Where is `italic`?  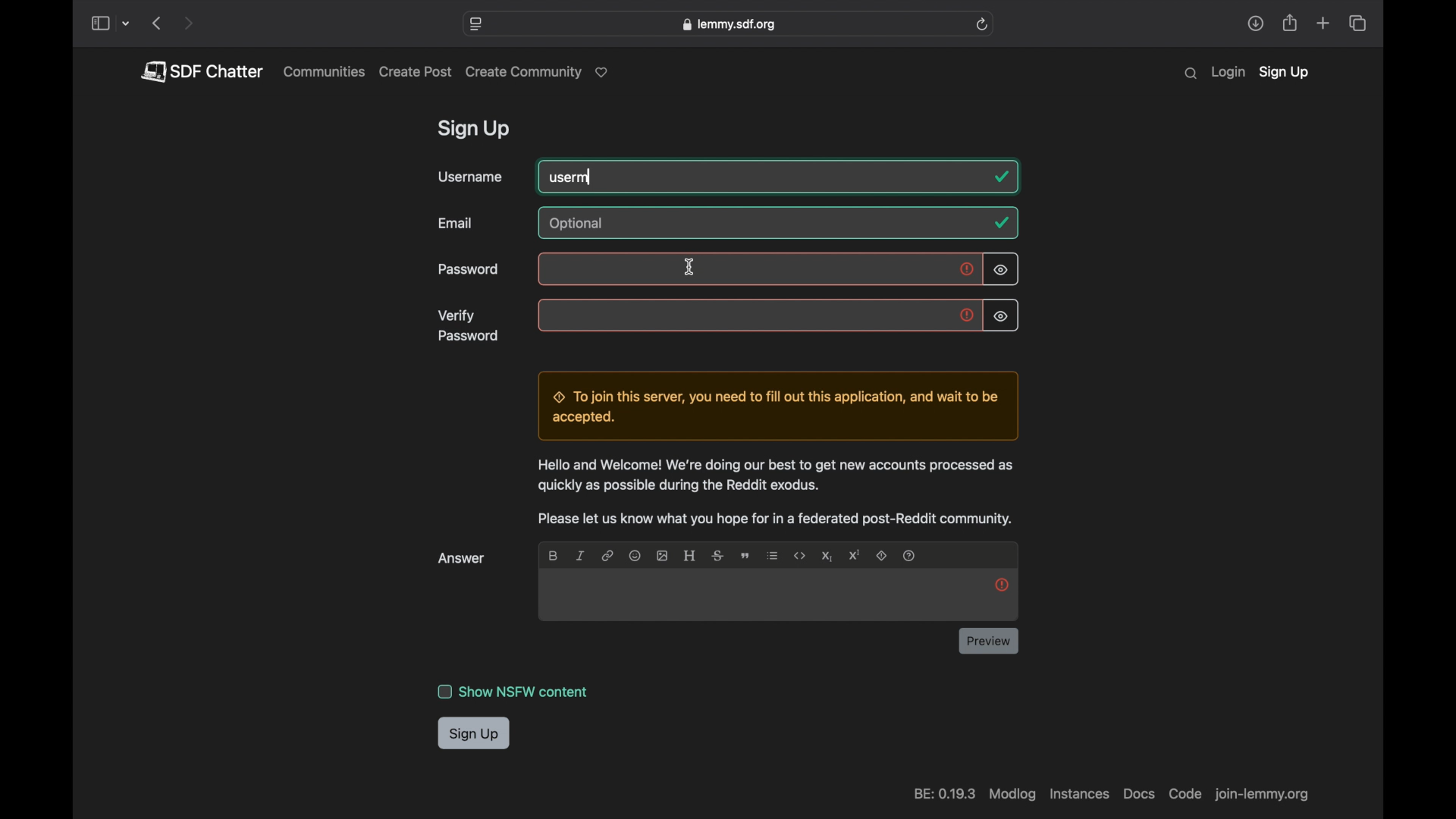 italic is located at coordinates (579, 555).